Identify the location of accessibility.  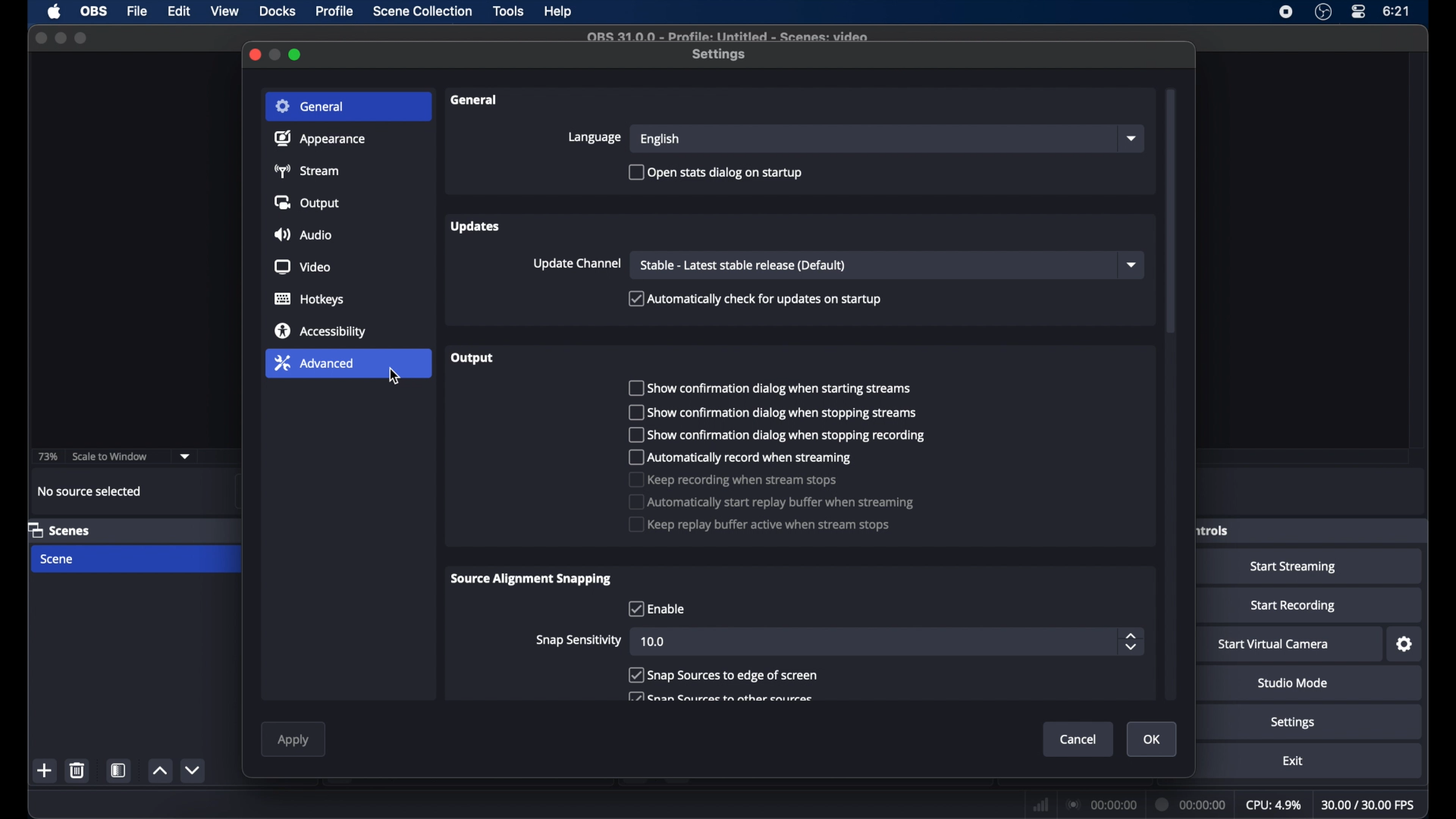
(322, 330).